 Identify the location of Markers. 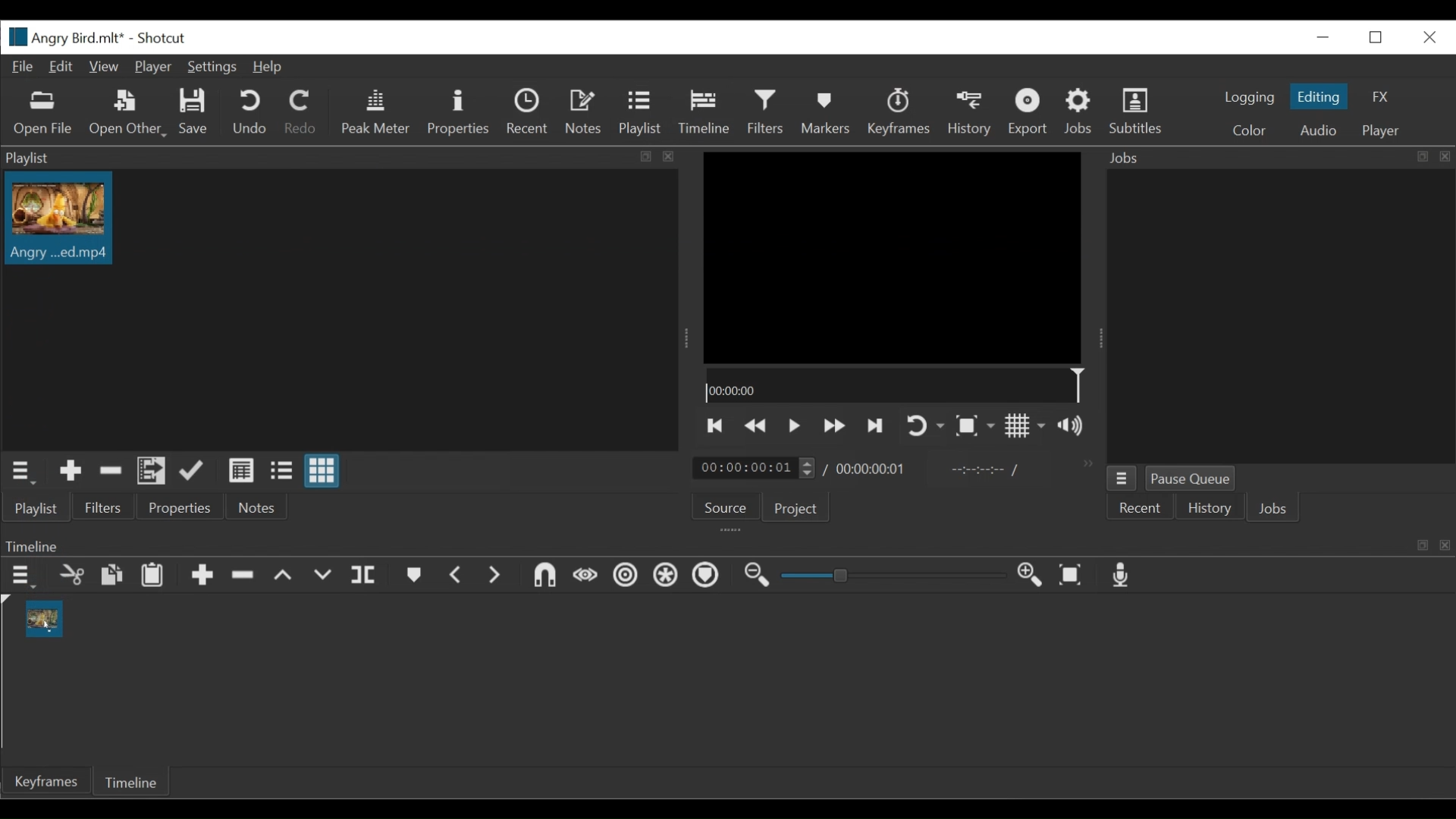
(825, 113).